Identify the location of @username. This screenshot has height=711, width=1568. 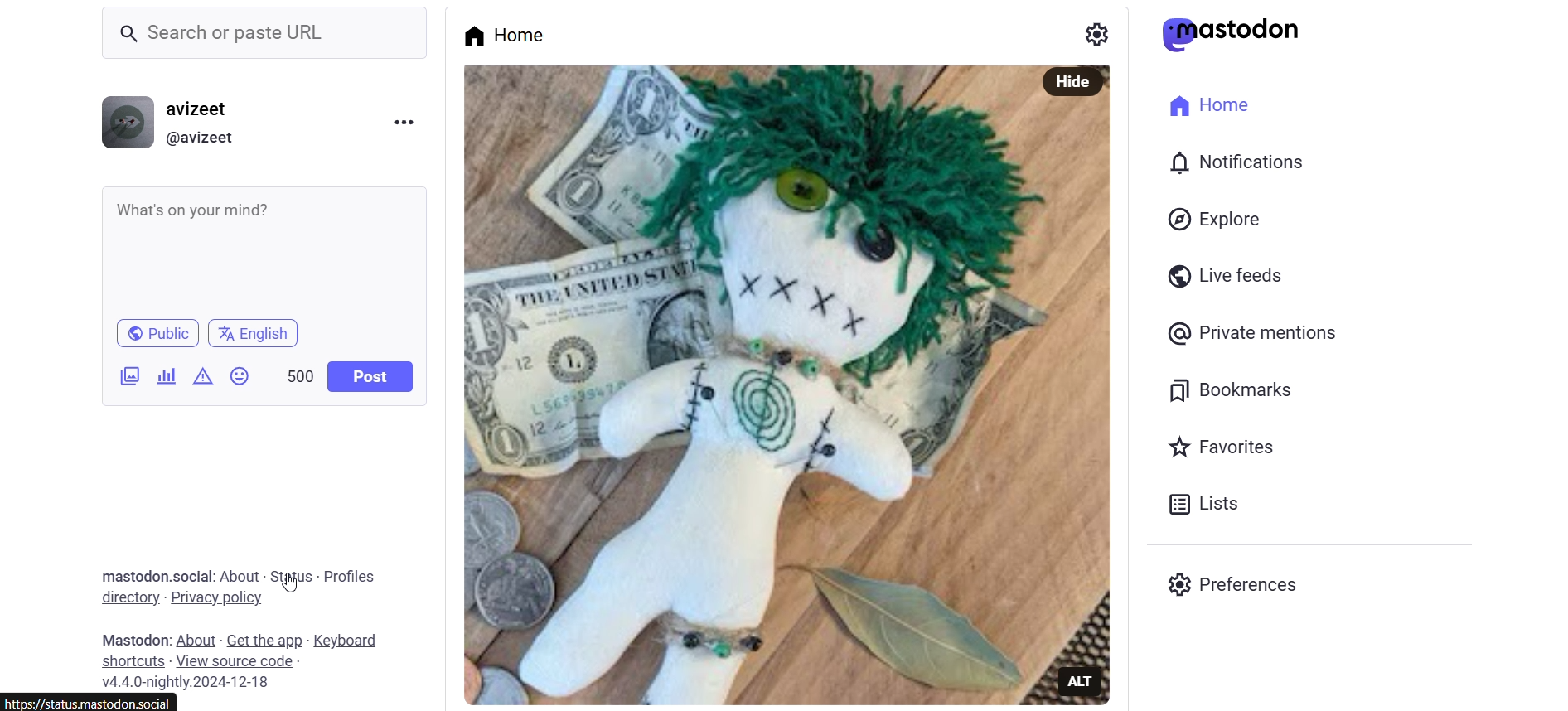
(211, 138).